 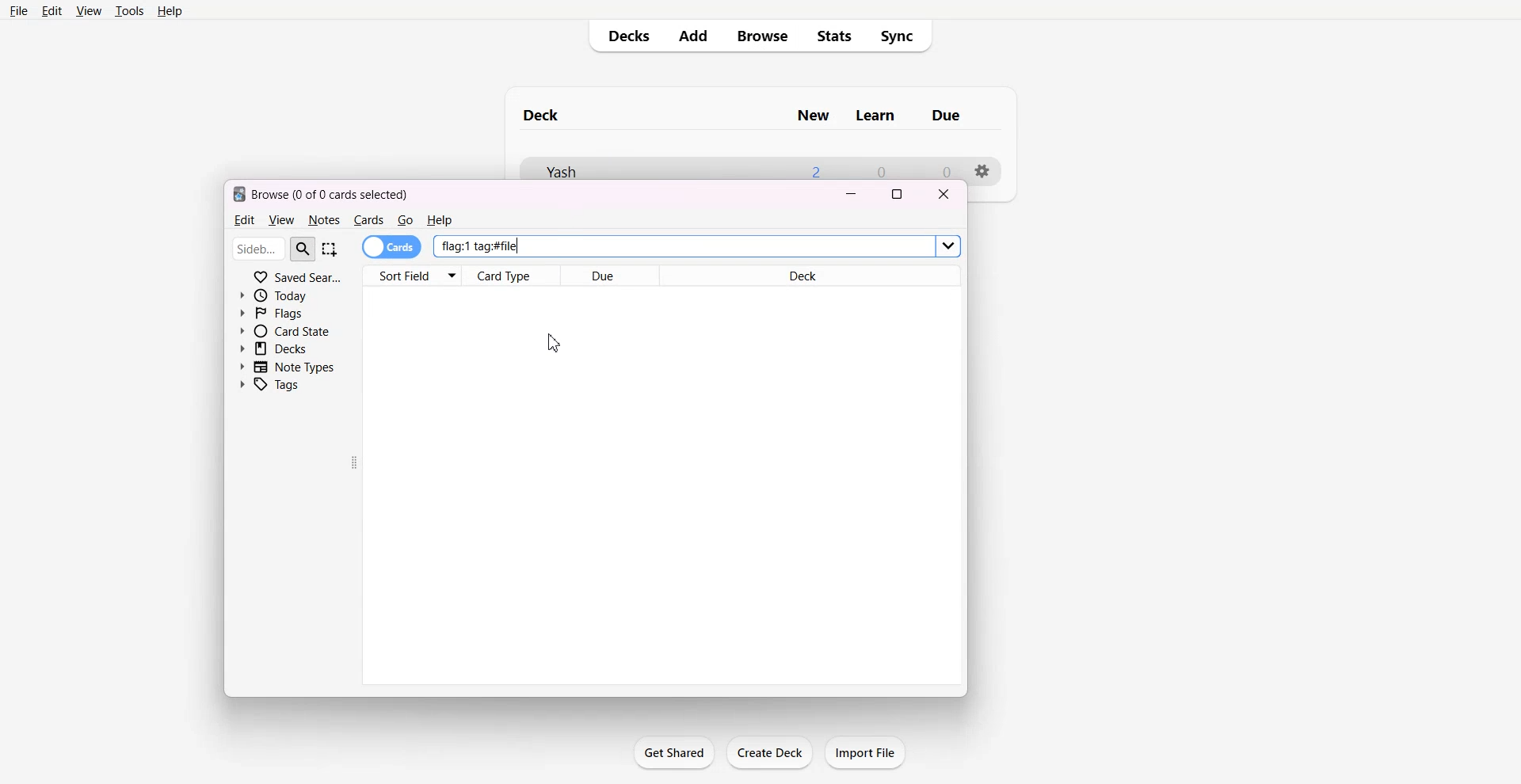 I want to click on Settings, so click(x=989, y=168).